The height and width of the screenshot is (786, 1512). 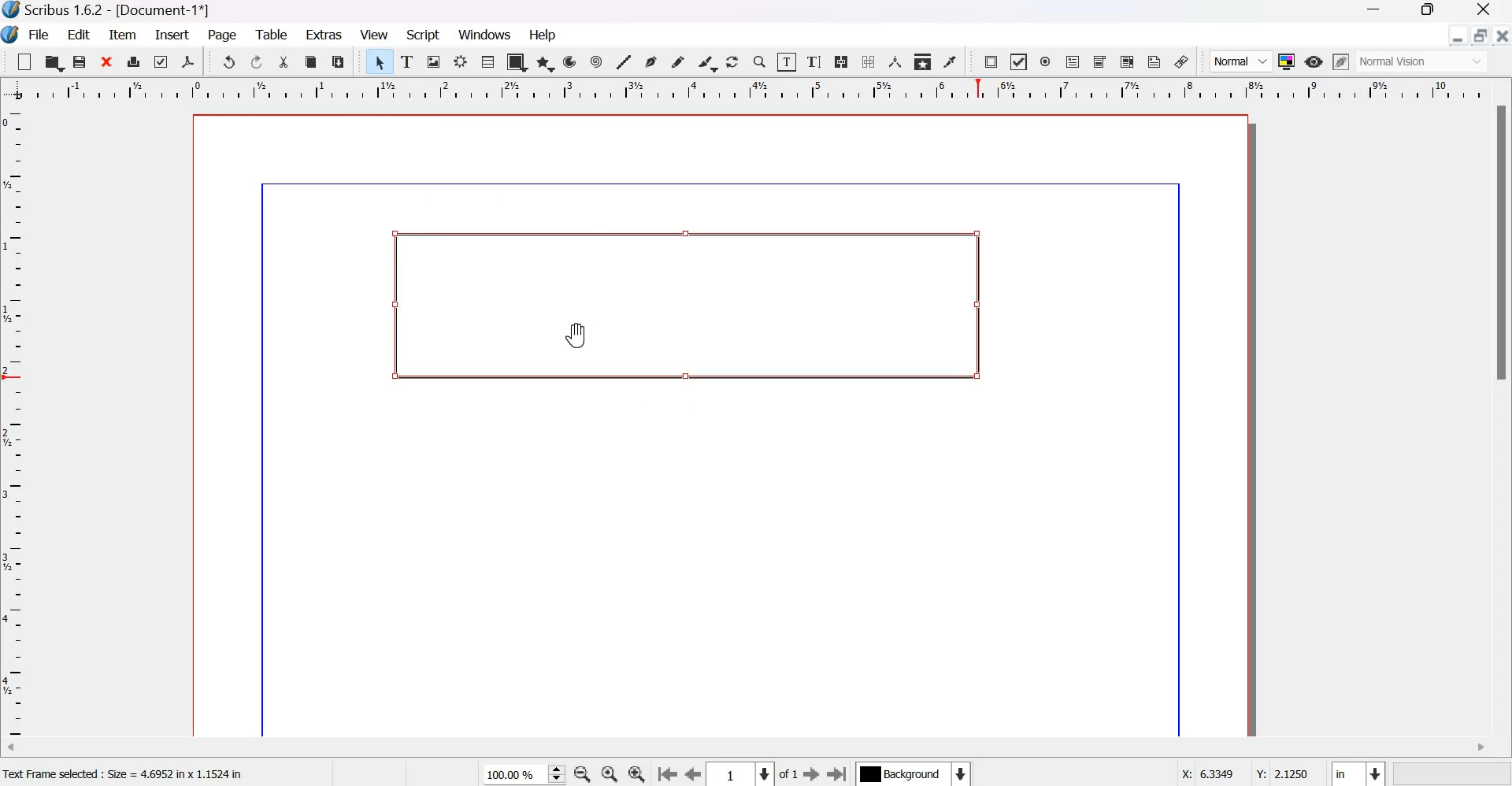 What do you see at coordinates (374, 35) in the screenshot?
I see `View` at bounding box center [374, 35].